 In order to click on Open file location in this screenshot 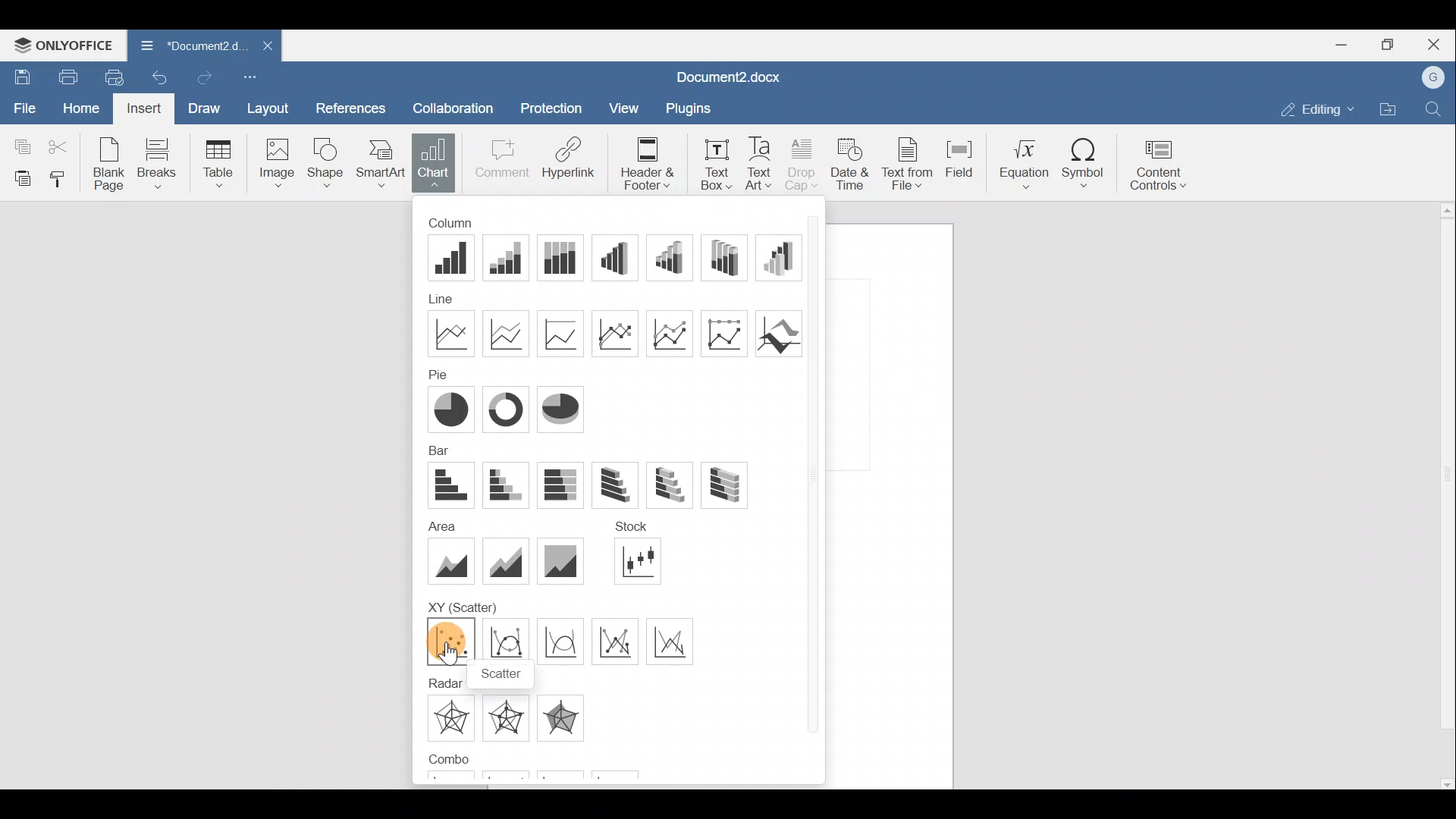, I will do `click(1388, 109)`.